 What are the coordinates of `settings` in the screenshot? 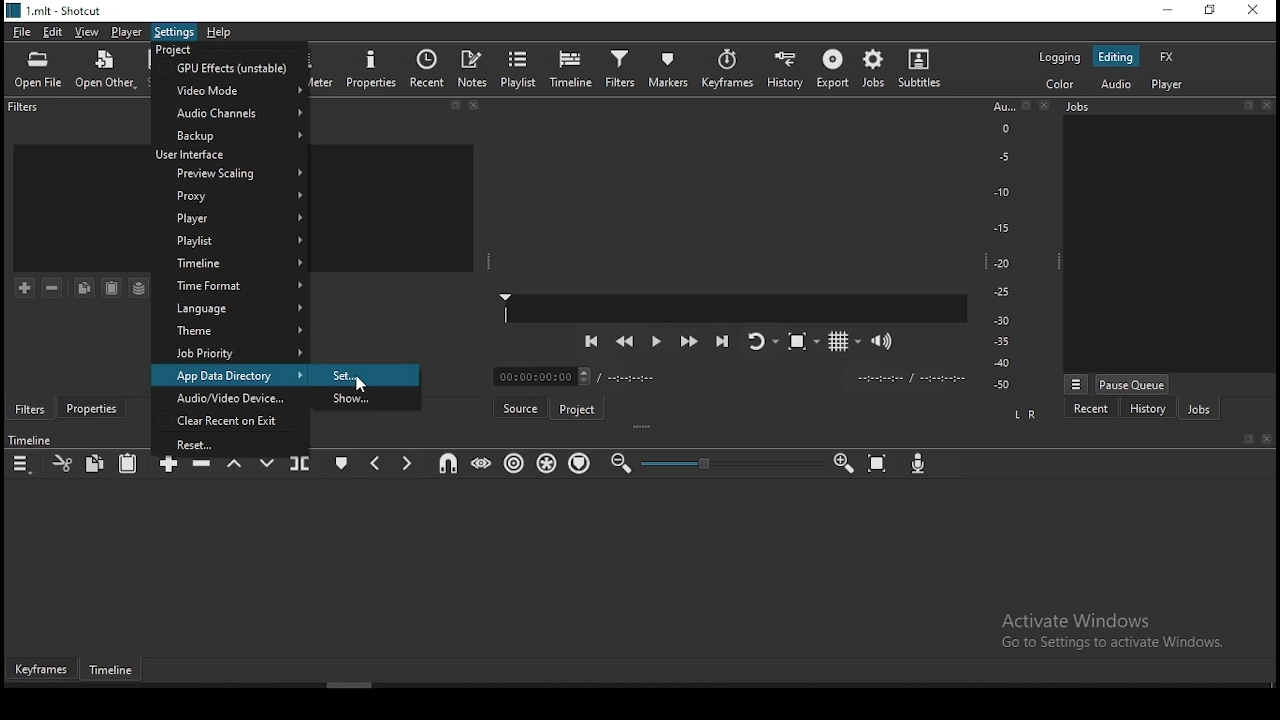 It's located at (175, 31).